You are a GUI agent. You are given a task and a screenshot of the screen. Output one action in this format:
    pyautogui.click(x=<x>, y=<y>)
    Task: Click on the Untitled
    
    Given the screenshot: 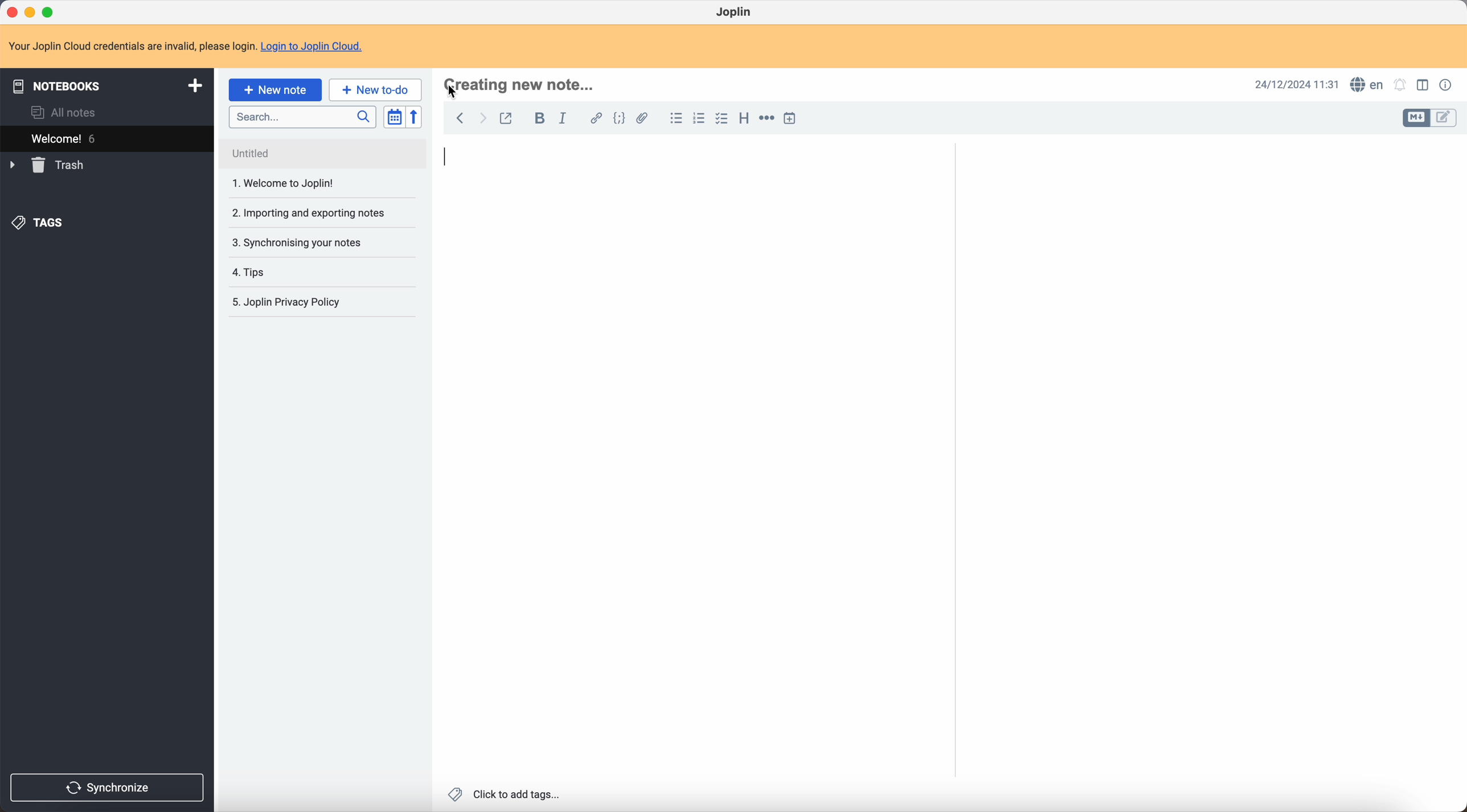 What is the action you would take?
    pyautogui.click(x=292, y=155)
    